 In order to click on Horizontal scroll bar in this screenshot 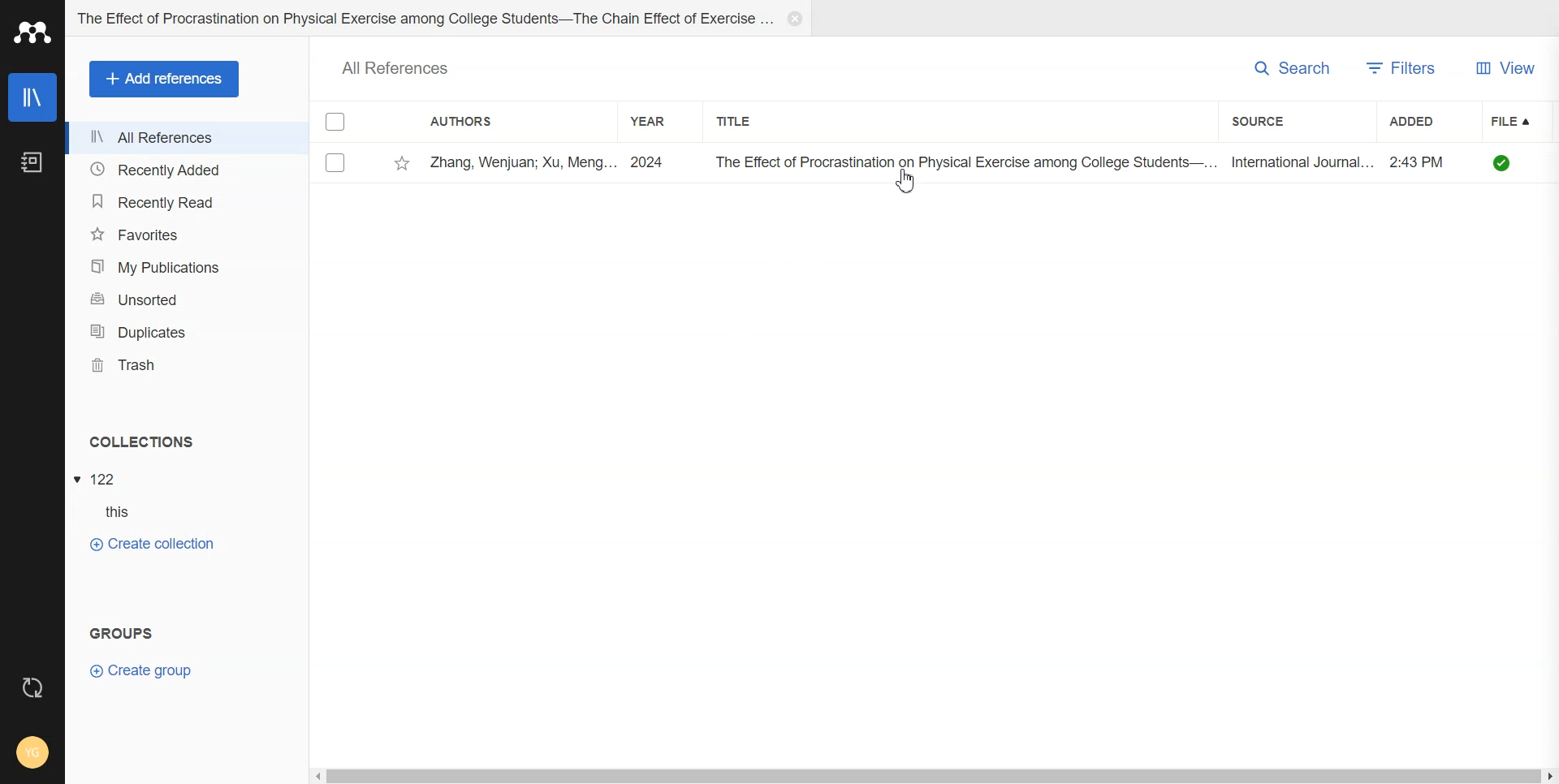, I will do `click(935, 775)`.